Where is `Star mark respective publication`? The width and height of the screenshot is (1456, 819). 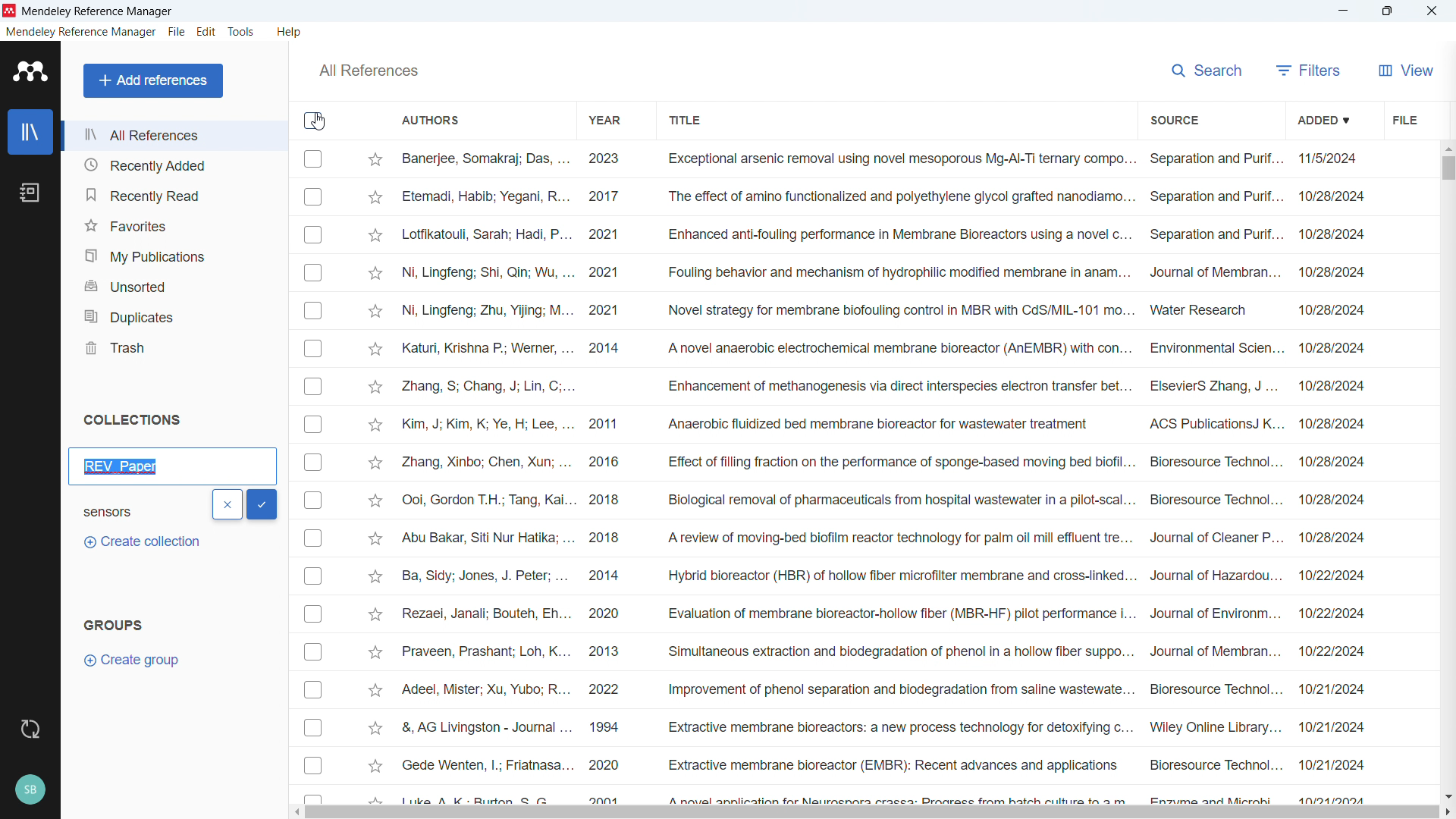 Star mark respective publication is located at coordinates (376, 160).